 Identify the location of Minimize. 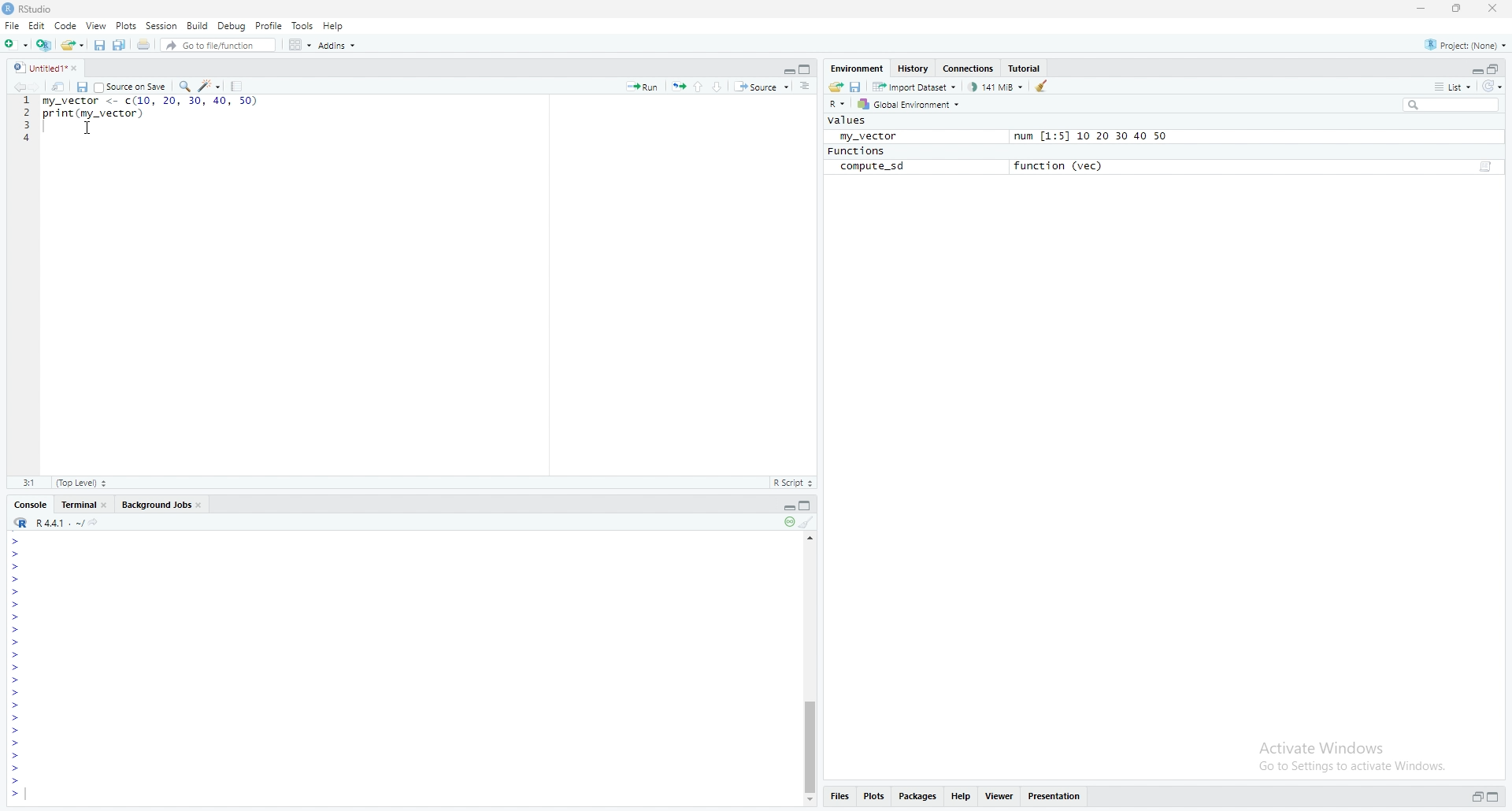
(1476, 70).